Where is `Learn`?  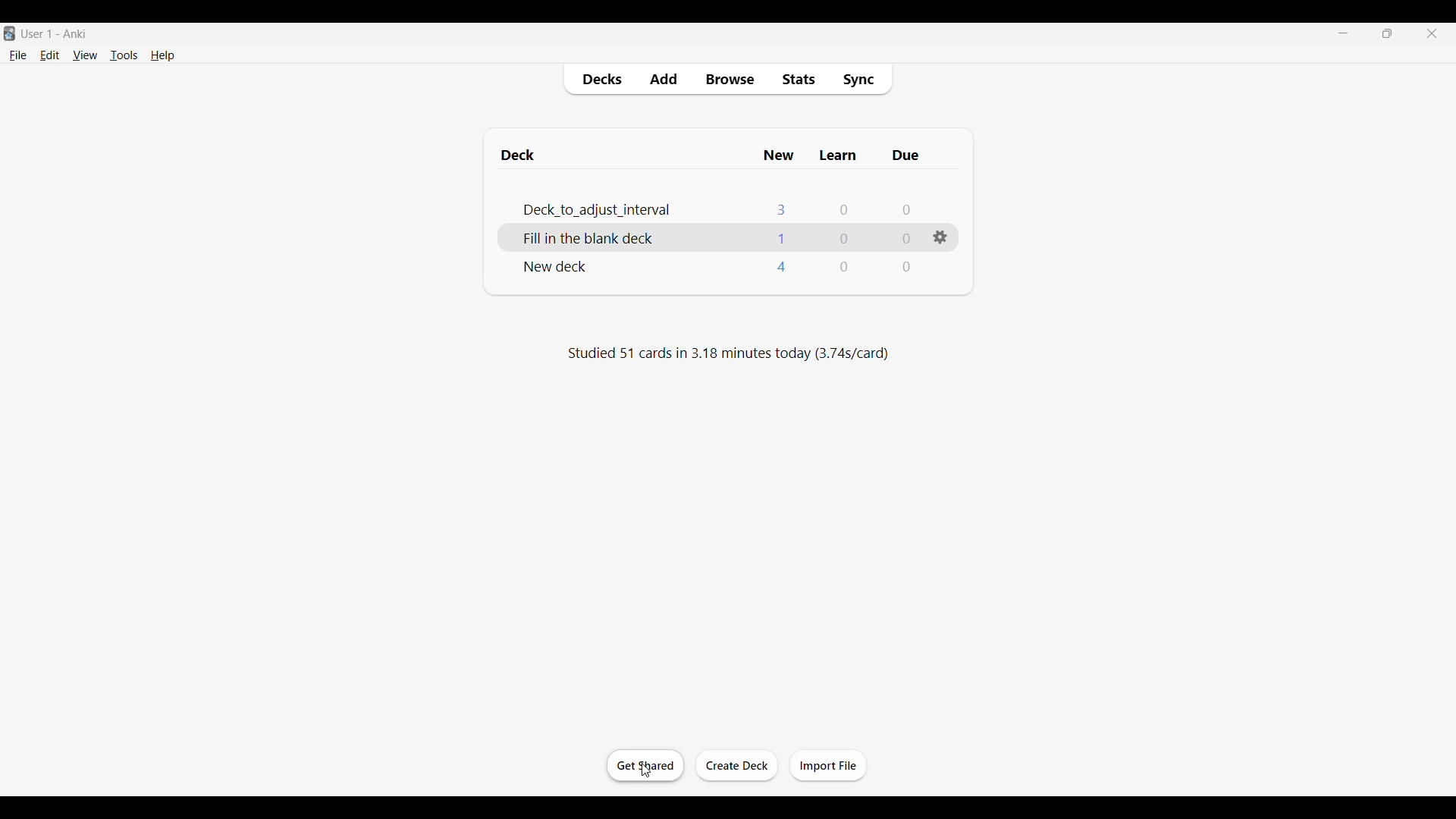
Learn is located at coordinates (839, 157).